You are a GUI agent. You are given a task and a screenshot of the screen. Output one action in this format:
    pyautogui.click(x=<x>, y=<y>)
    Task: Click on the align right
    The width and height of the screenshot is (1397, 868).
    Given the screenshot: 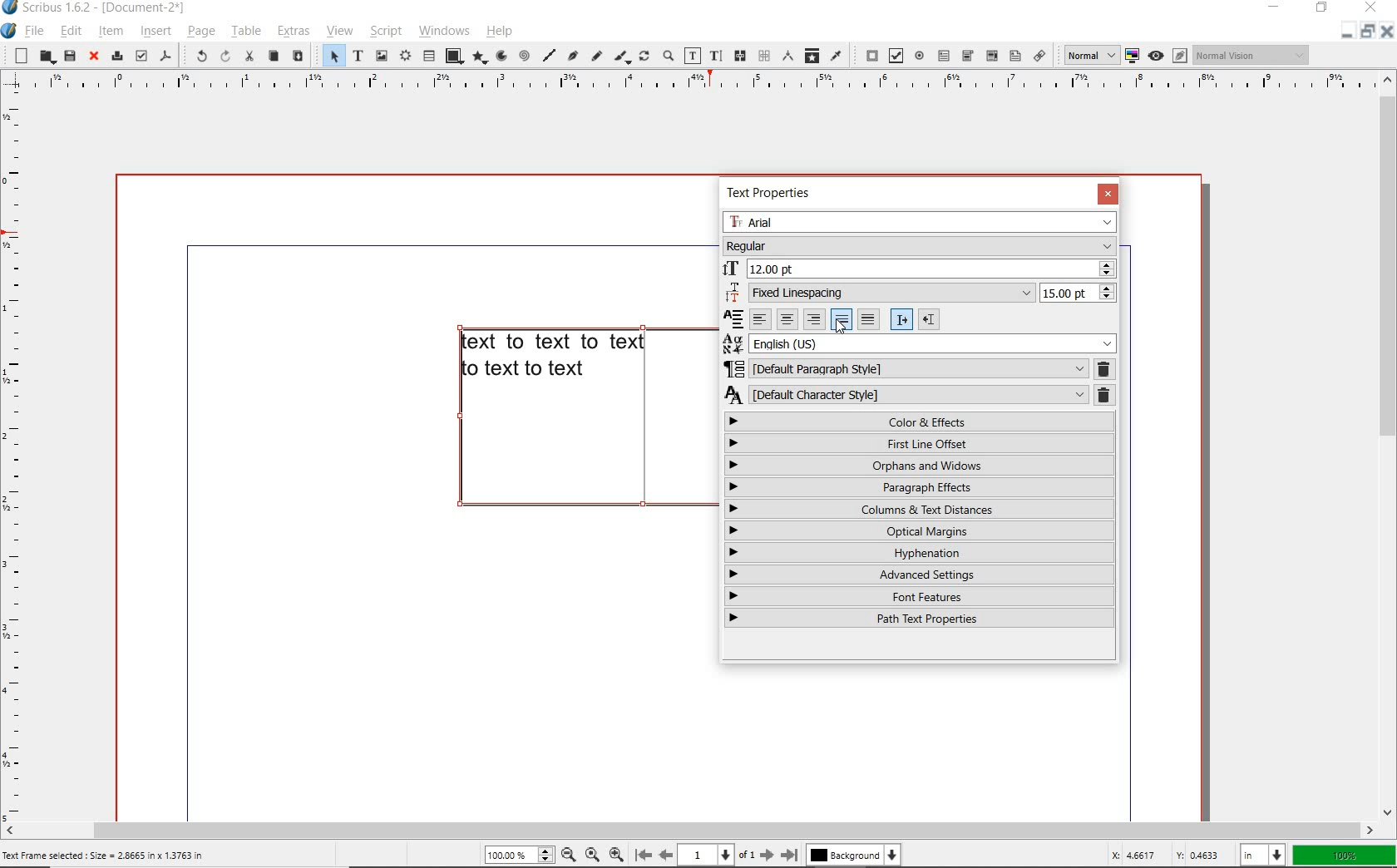 What is the action you would take?
    pyautogui.click(x=814, y=318)
    